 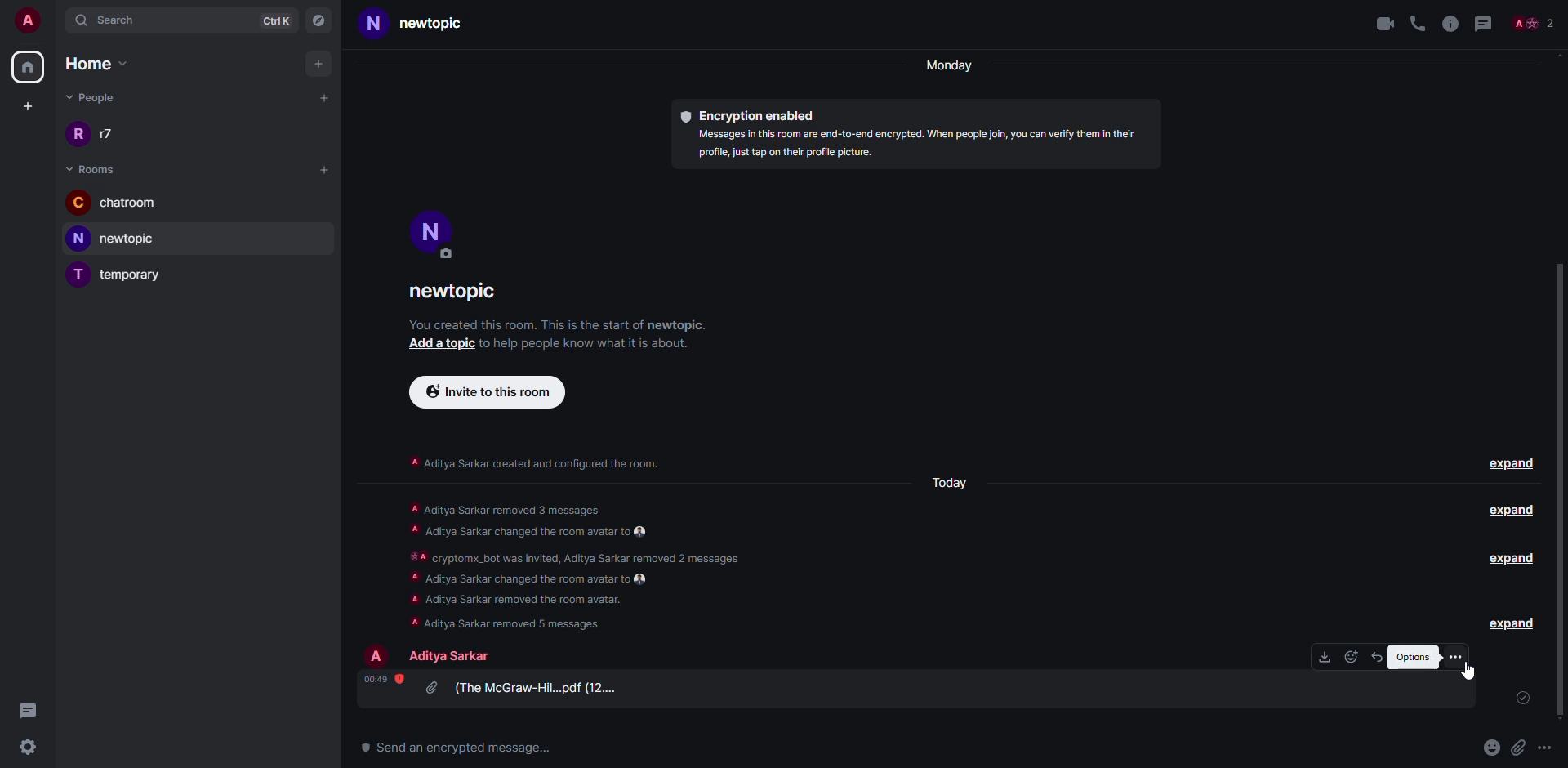 I want to click on threads, so click(x=1481, y=23).